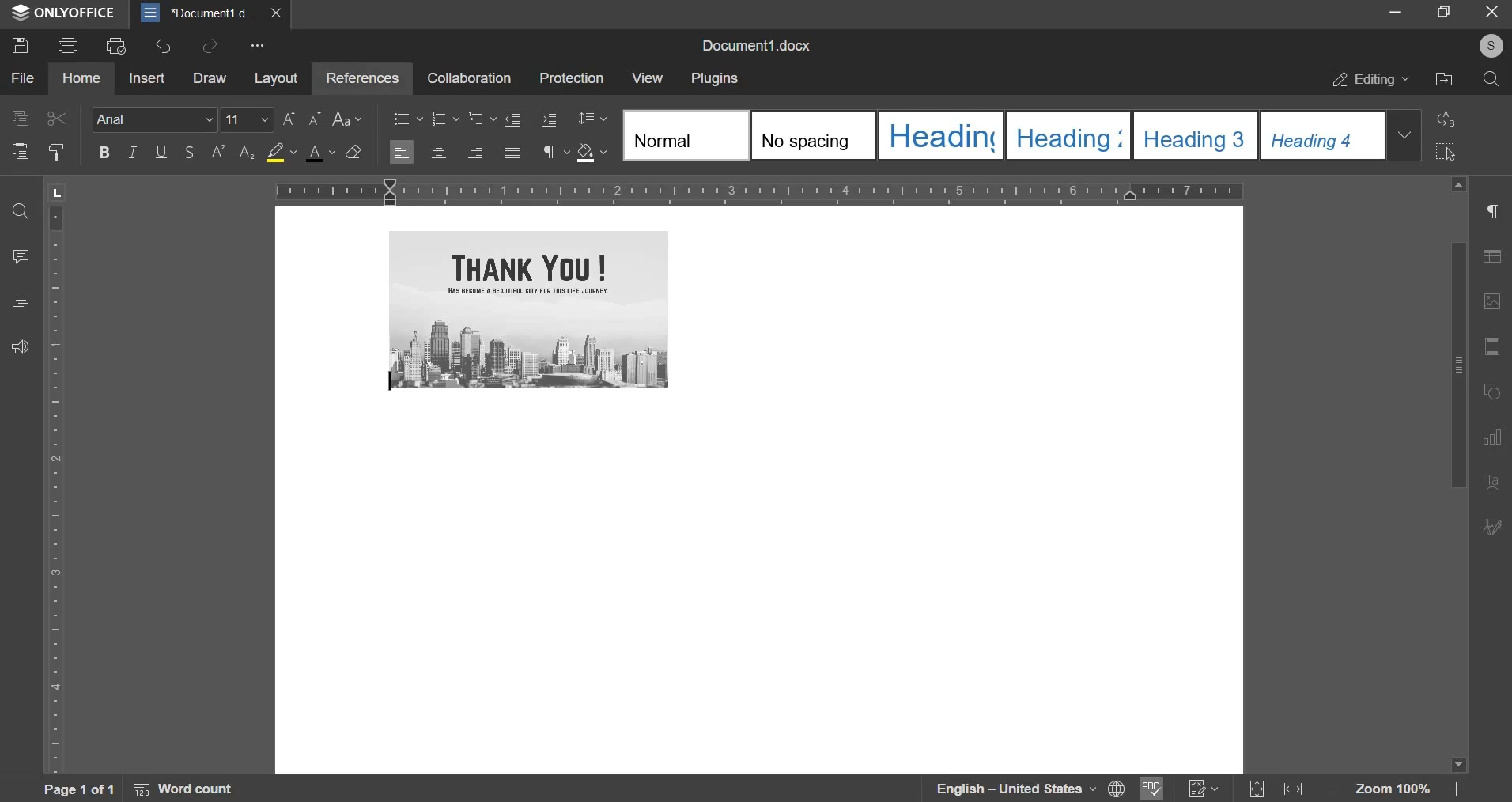 The height and width of the screenshot is (802, 1512). I want to click on replace, so click(1447, 118).